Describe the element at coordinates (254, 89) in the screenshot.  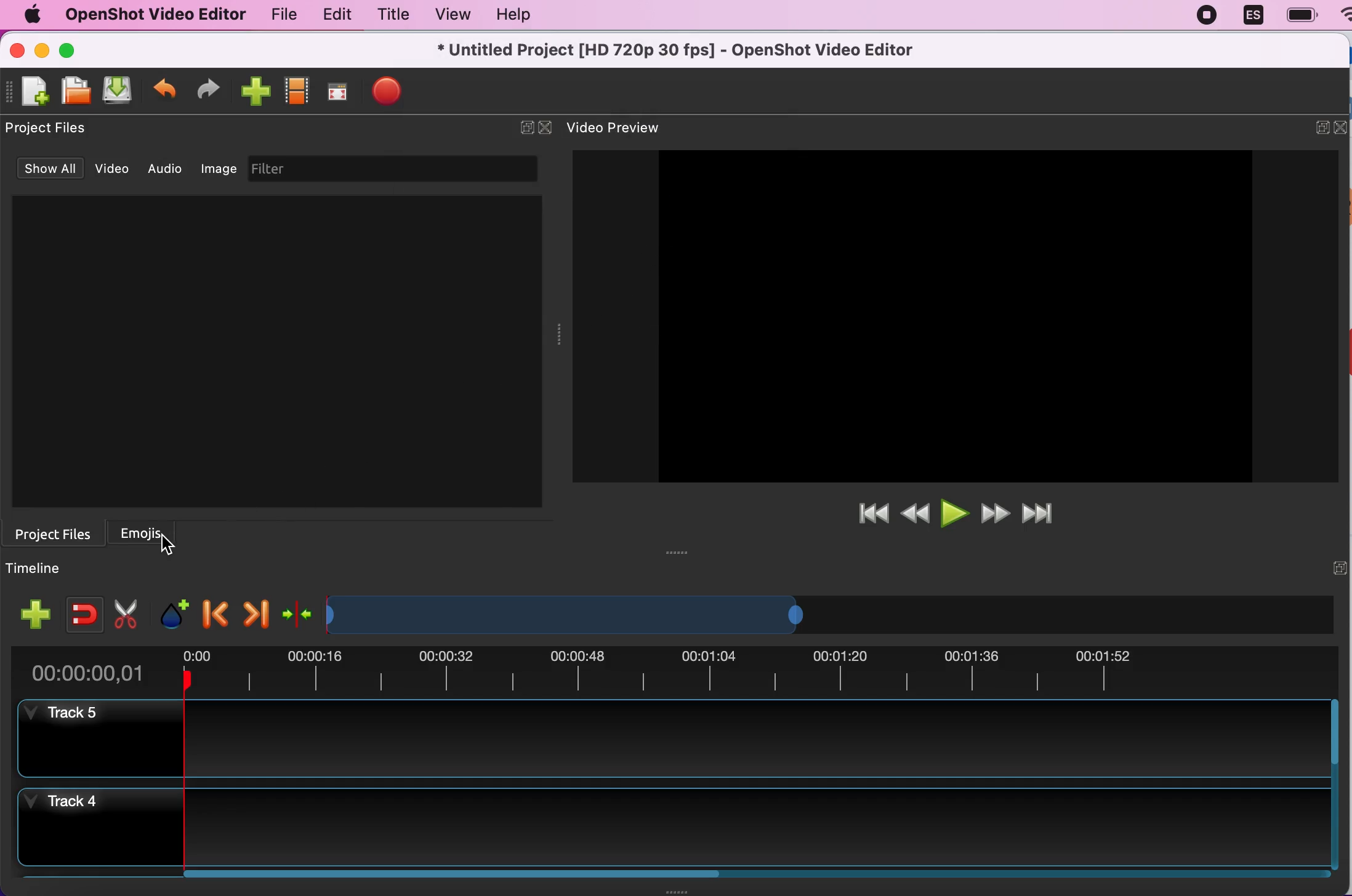
I see `import files` at that location.